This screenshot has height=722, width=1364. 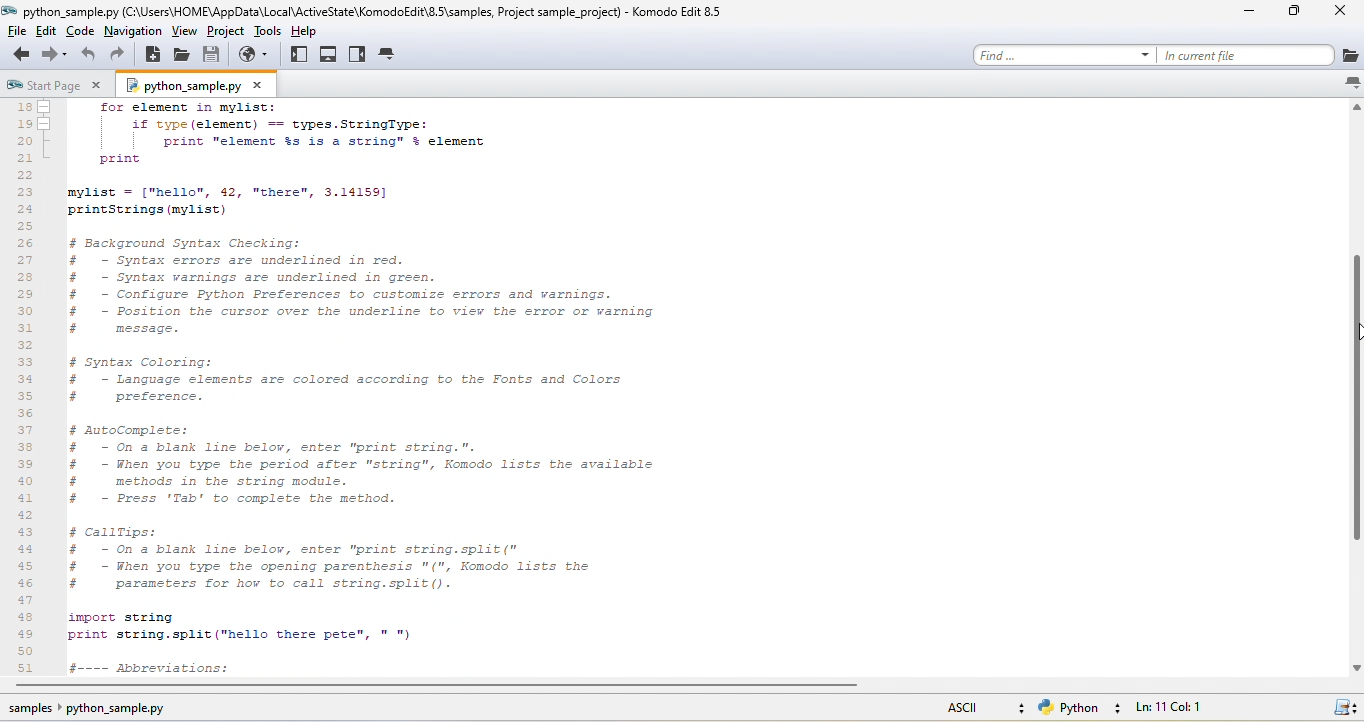 I want to click on help, so click(x=312, y=29).